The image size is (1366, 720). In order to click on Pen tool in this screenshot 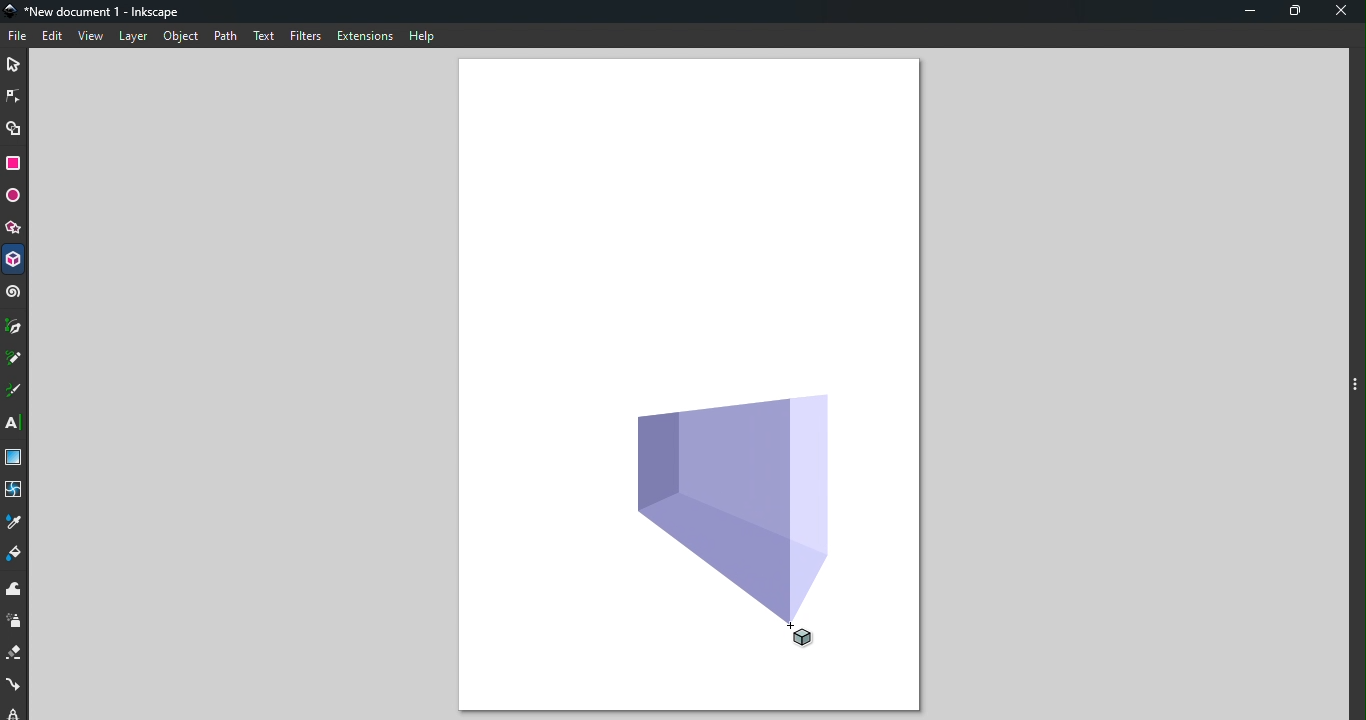, I will do `click(16, 328)`.